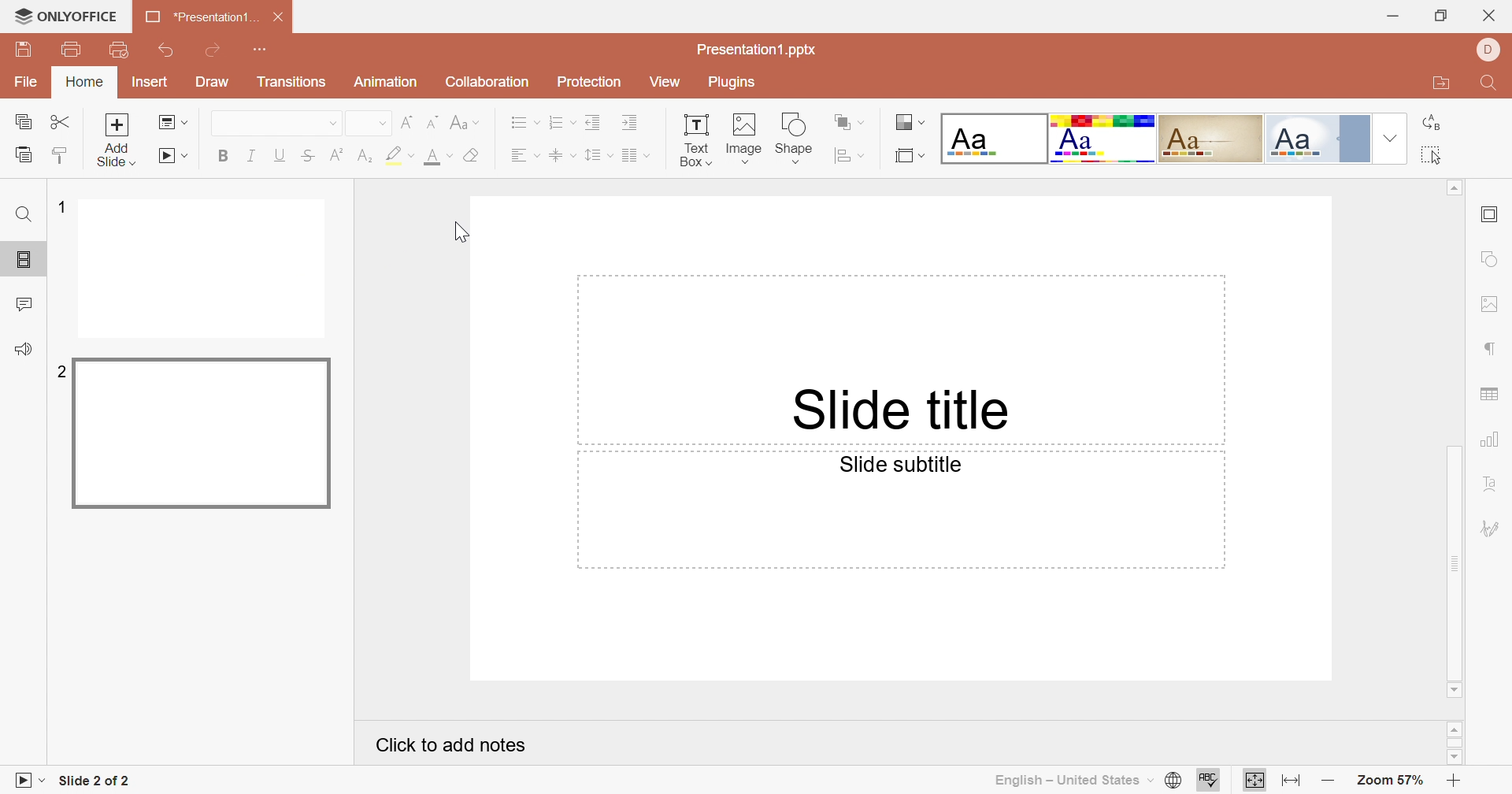 The height and width of the screenshot is (794, 1512). What do you see at coordinates (268, 49) in the screenshot?
I see `Customize quick access toolbar` at bounding box center [268, 49].